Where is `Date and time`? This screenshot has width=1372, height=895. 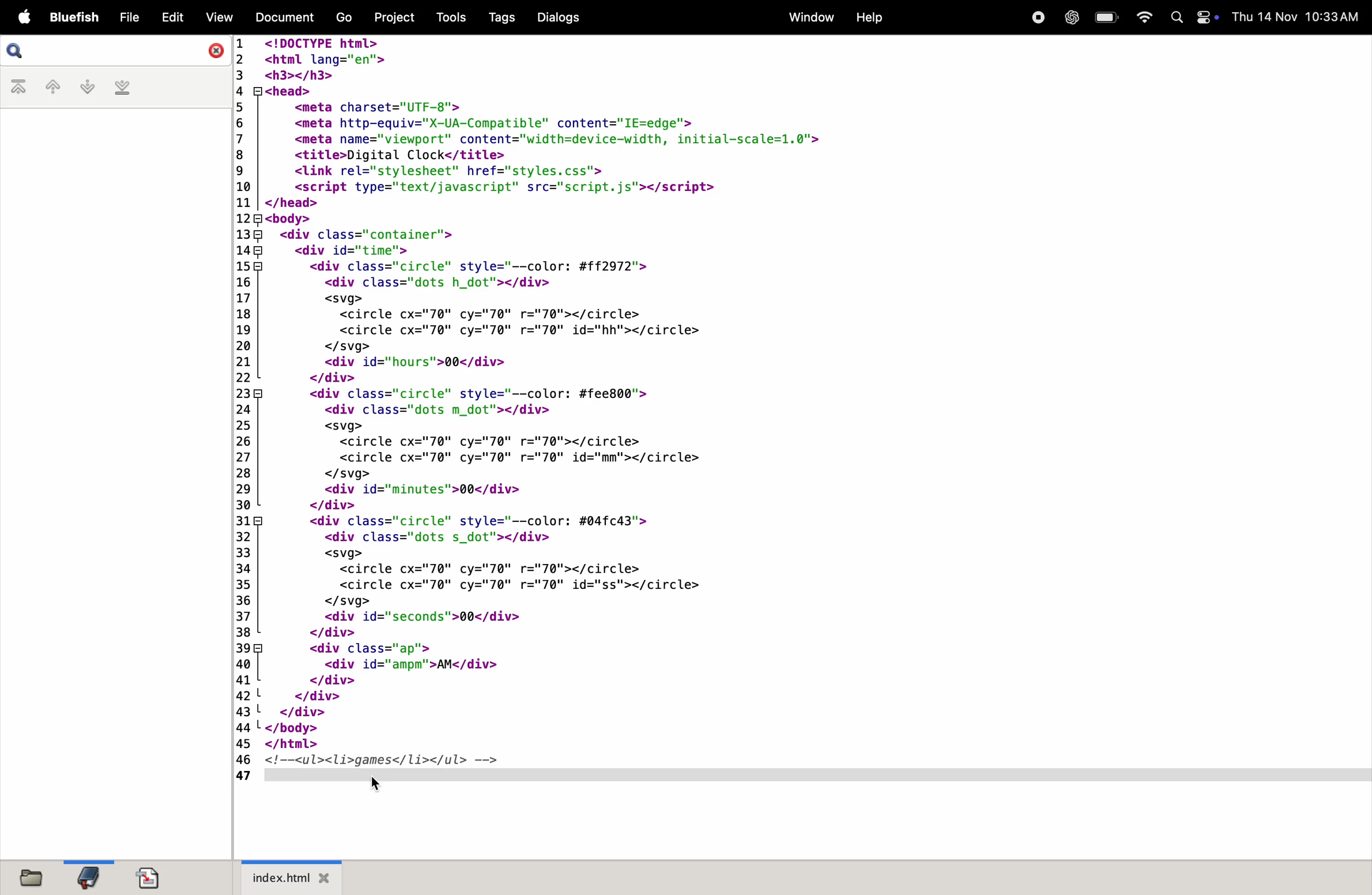
Date and time is located at coordinates (1297, 16).